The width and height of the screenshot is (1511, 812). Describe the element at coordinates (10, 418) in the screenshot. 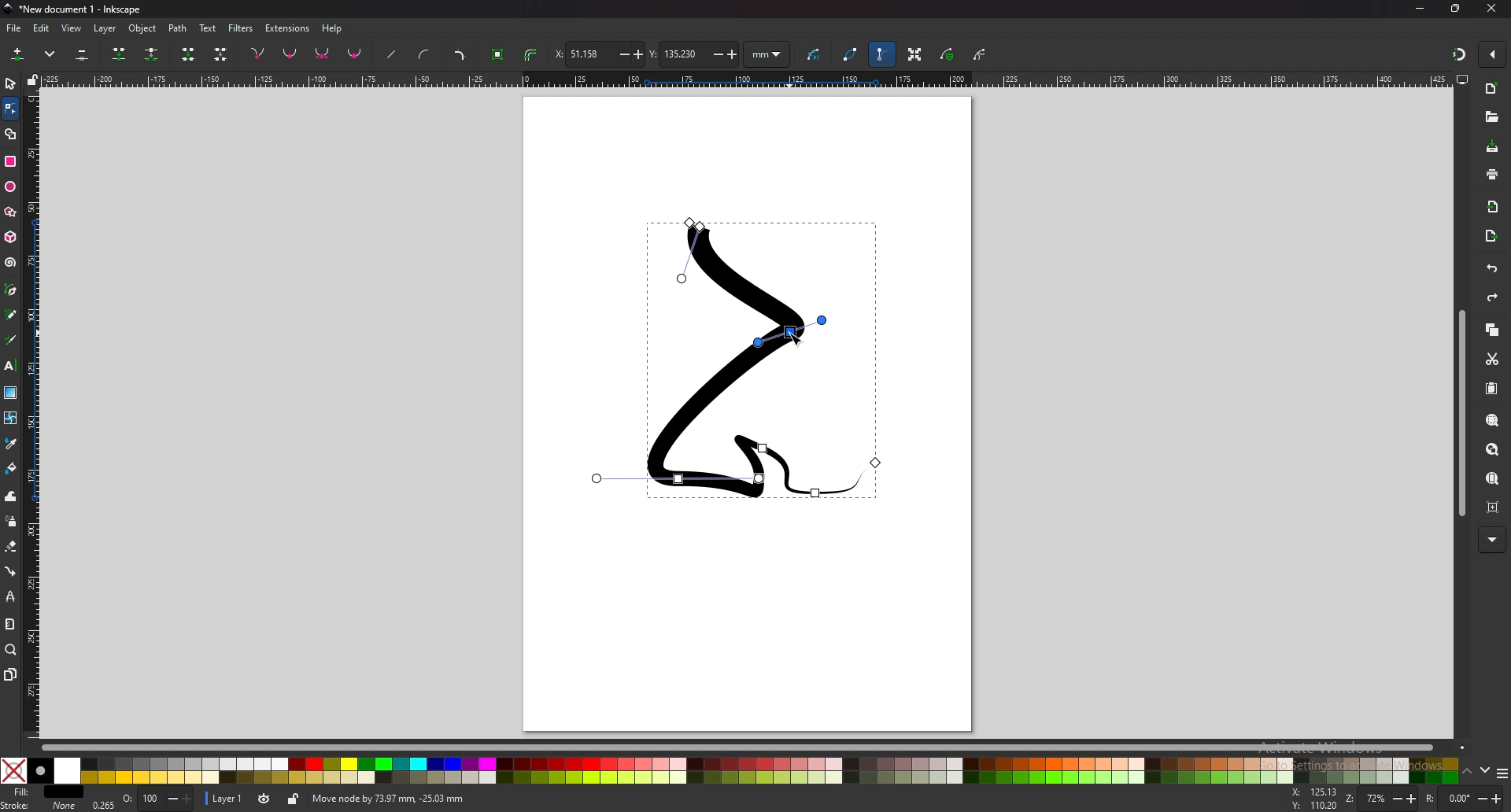

I see `mesh` at that location.